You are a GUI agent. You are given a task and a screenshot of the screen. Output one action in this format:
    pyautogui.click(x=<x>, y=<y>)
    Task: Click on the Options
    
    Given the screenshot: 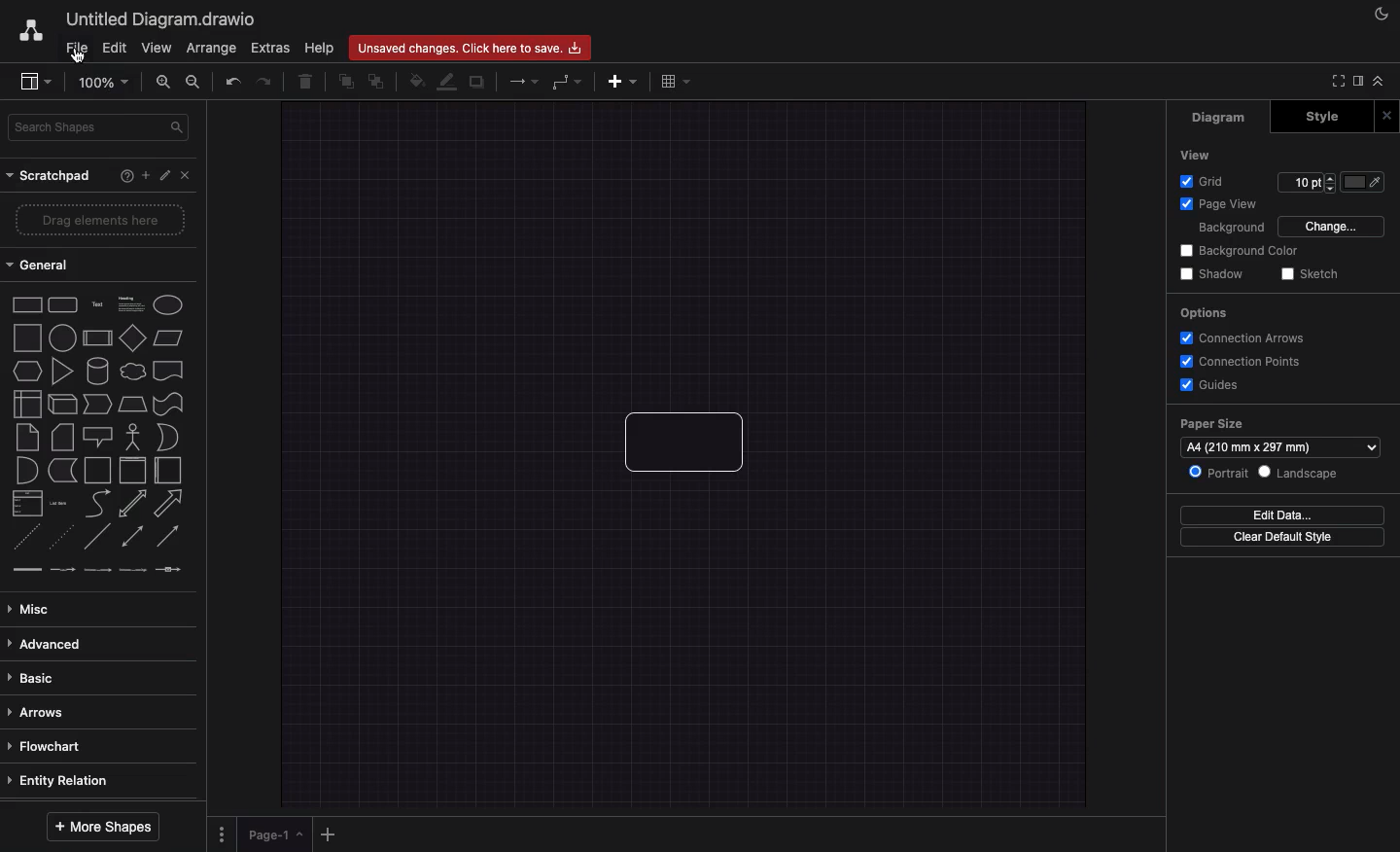 What is the action you would take?
    pyautogui.click(x=1205, y=313)
    